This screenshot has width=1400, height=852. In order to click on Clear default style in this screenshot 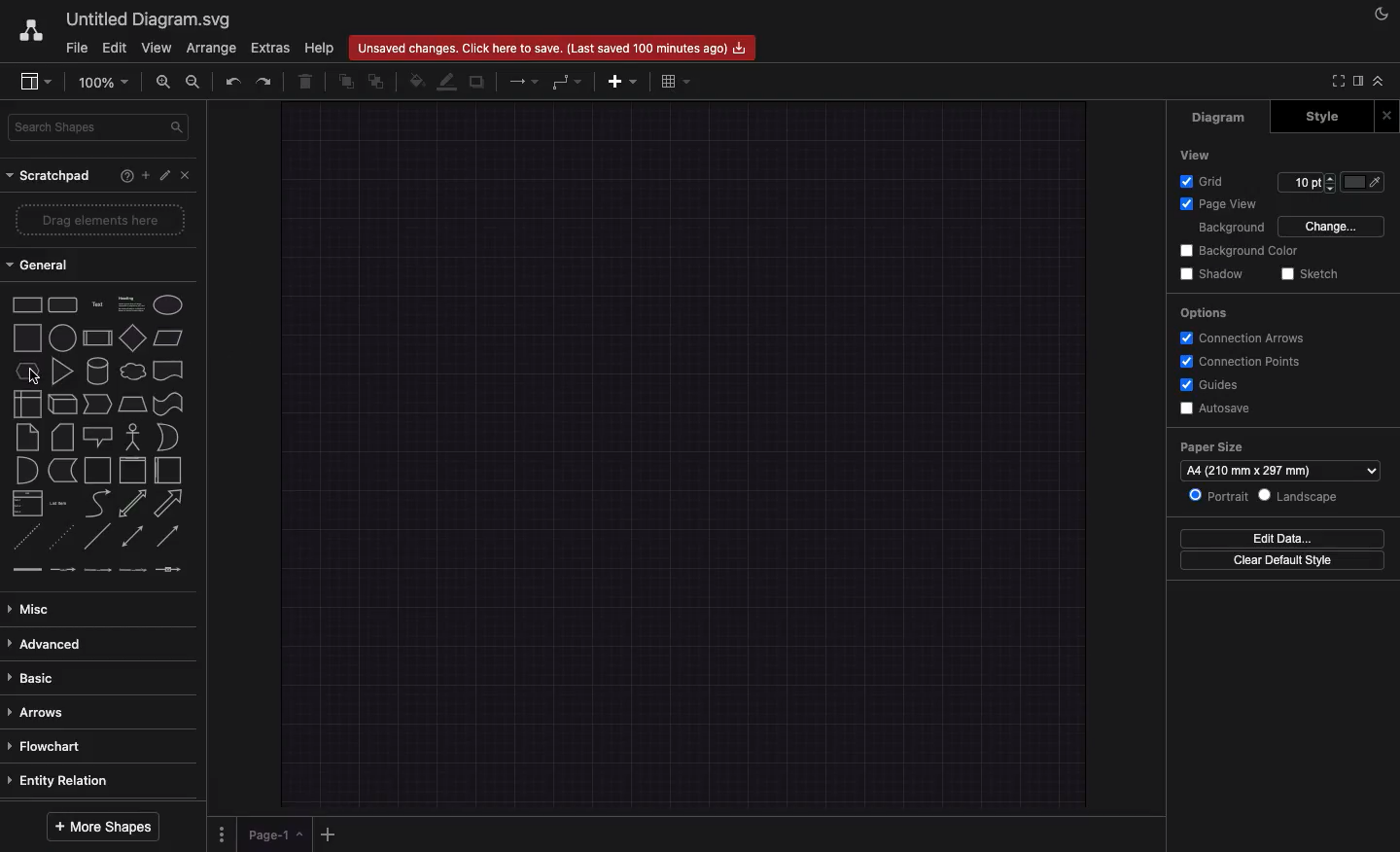, I will do `click(1286, 560)`.